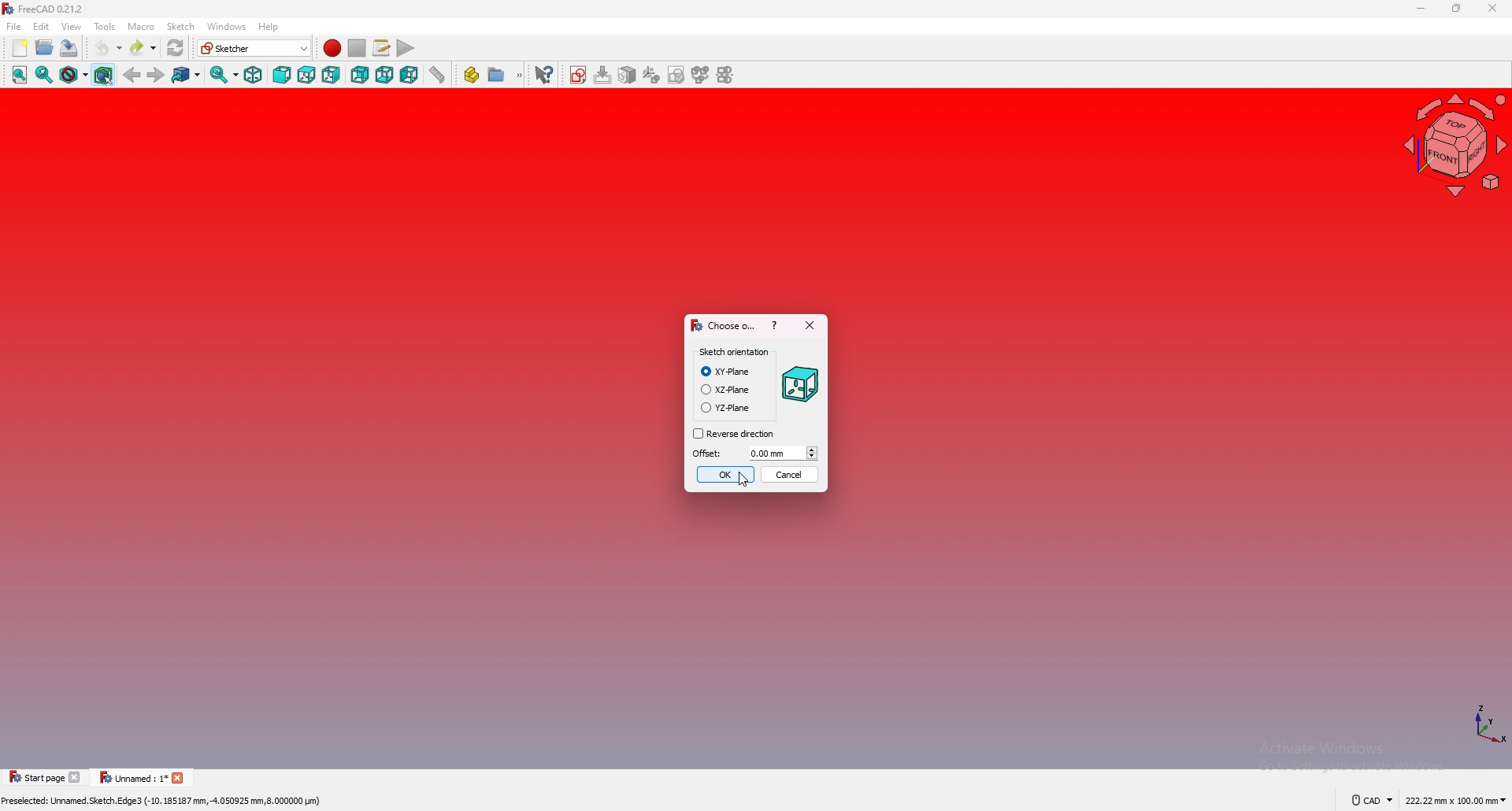 The image size is (1512, 811). I want to click on cancel, so click(791, 475).